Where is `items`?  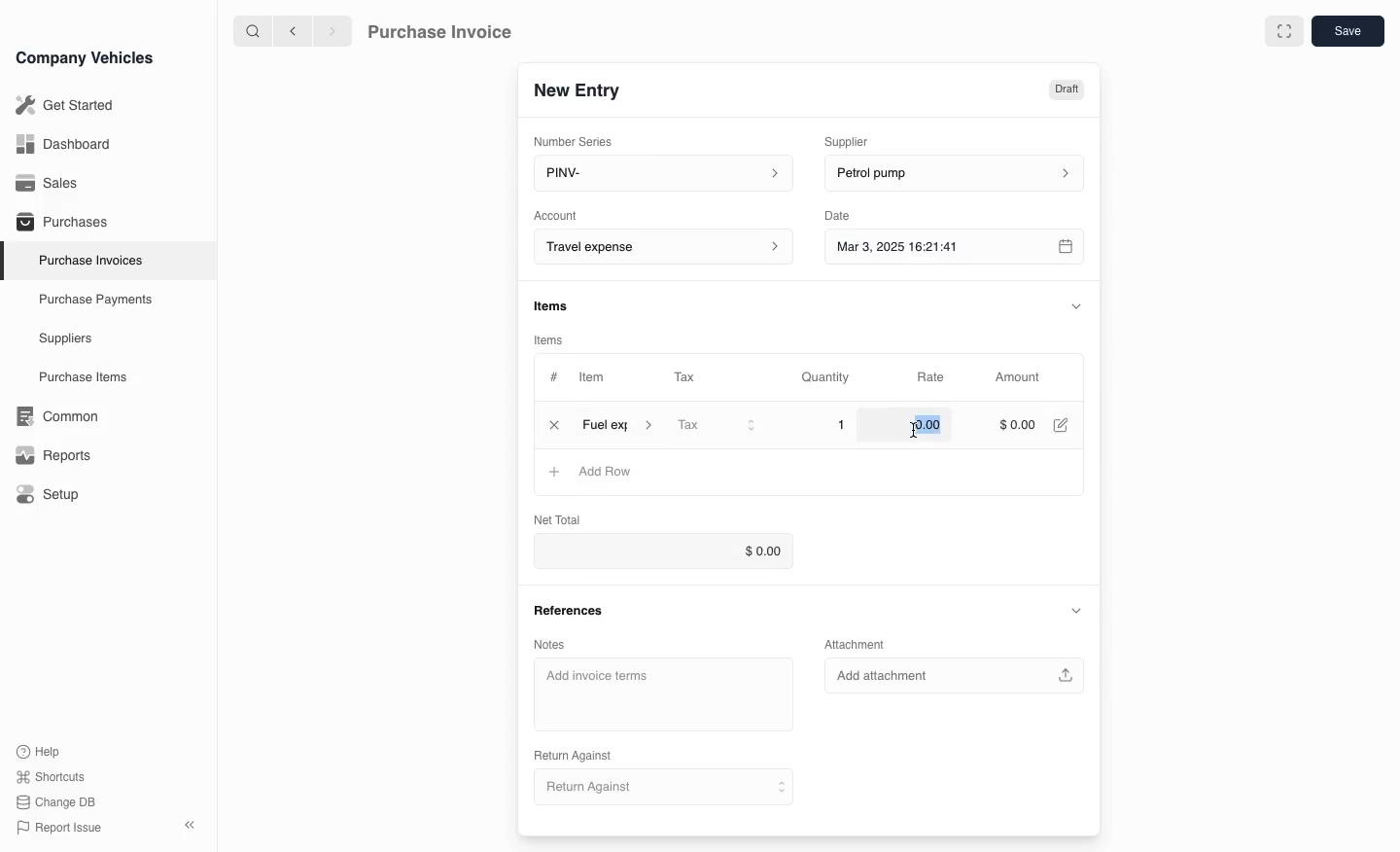
items is located at coordinates (552, 339).